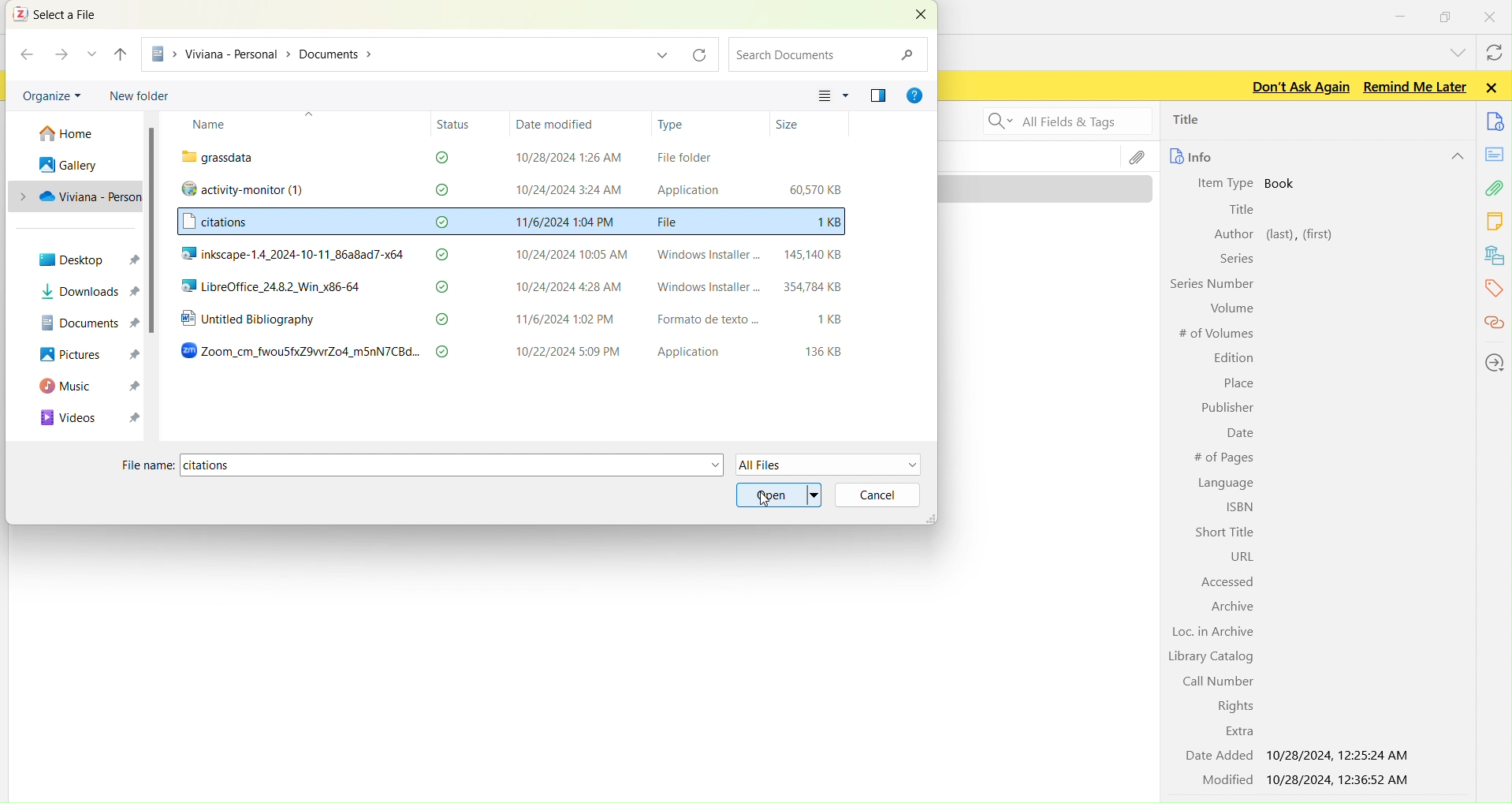 The width and height of the screenshot is (1512, 803). What do you see at coordinates (558, 158) in the screenshot?
I see `10/28/2024 1:26 AM` at bounding box center [558, 158].